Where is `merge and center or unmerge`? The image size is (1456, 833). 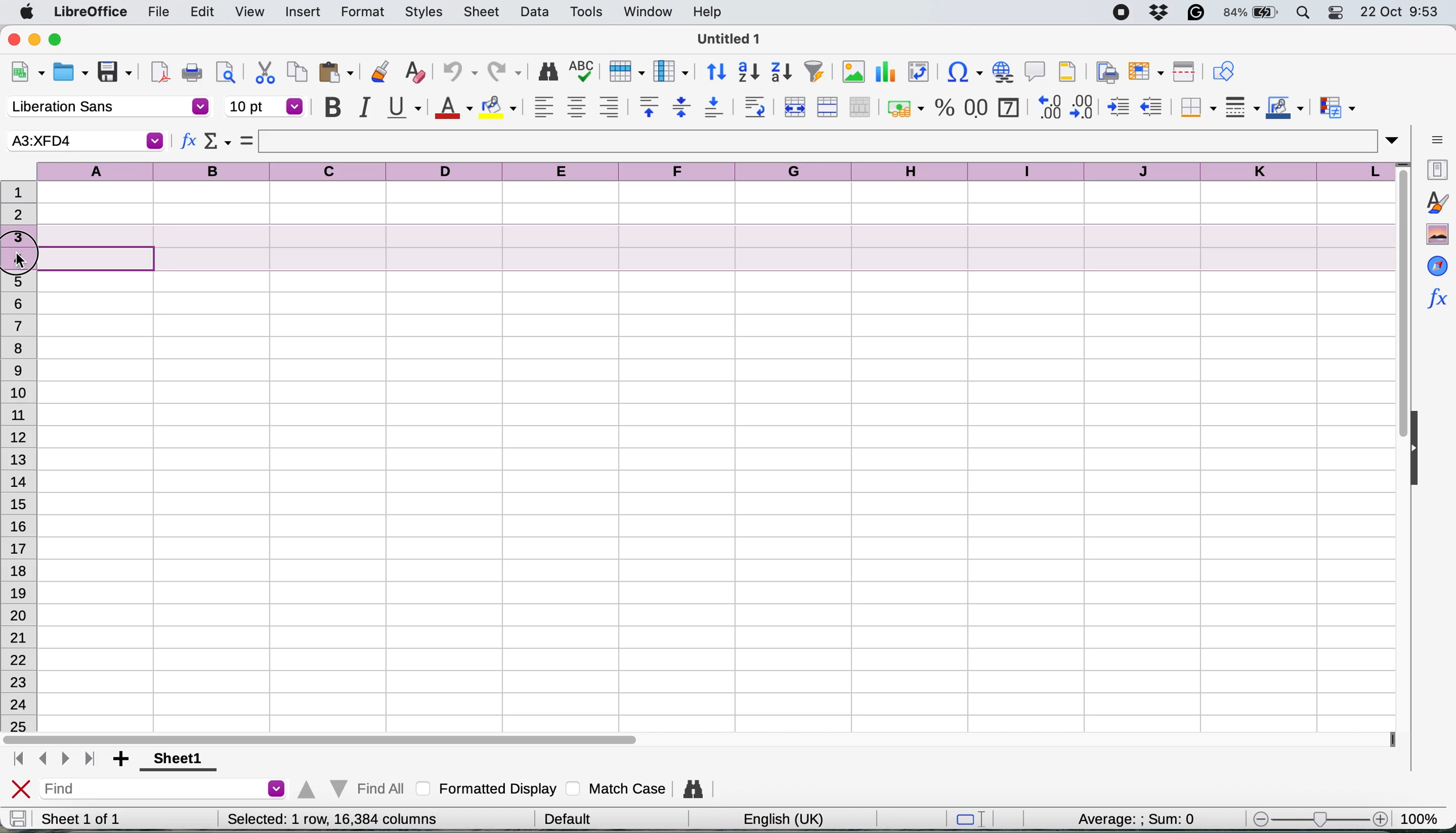 merge and center or unmerge is located at coordinates (793, 105).